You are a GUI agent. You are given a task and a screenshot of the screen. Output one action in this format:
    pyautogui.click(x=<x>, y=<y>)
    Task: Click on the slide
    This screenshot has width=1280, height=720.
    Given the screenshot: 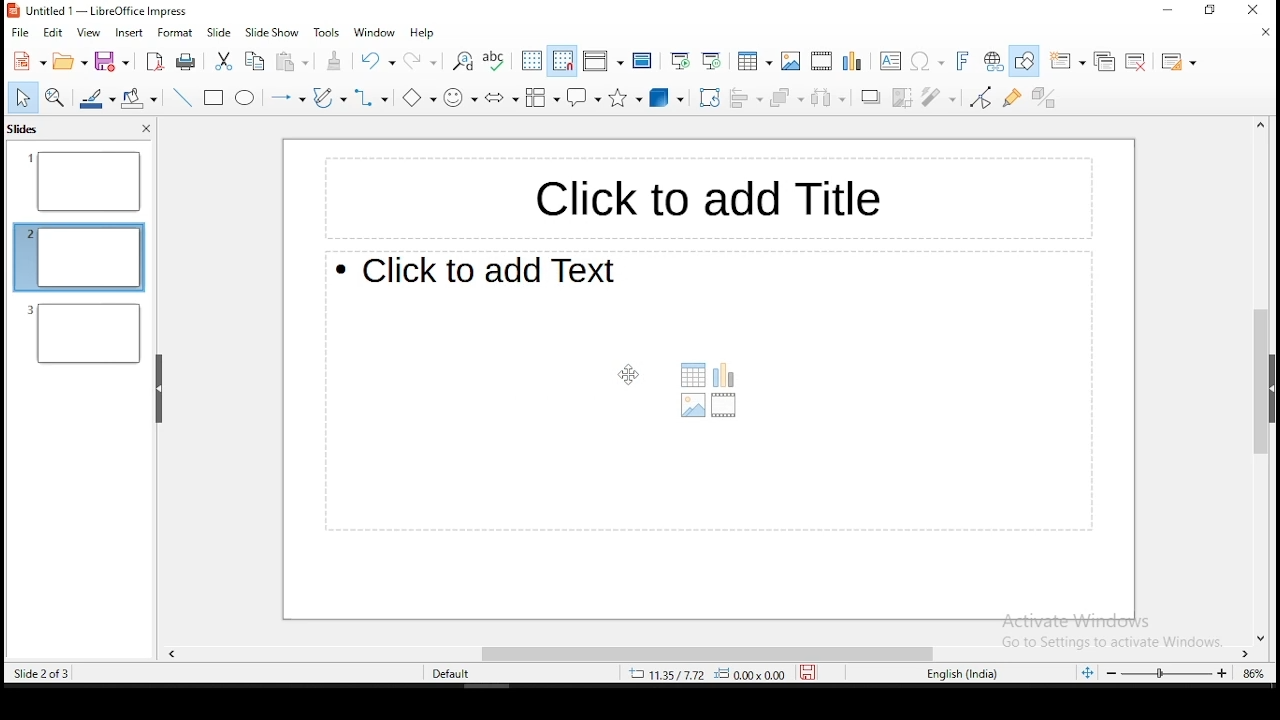 What is the action you would take?
    pyautogui.click(x=219, y=33)
    